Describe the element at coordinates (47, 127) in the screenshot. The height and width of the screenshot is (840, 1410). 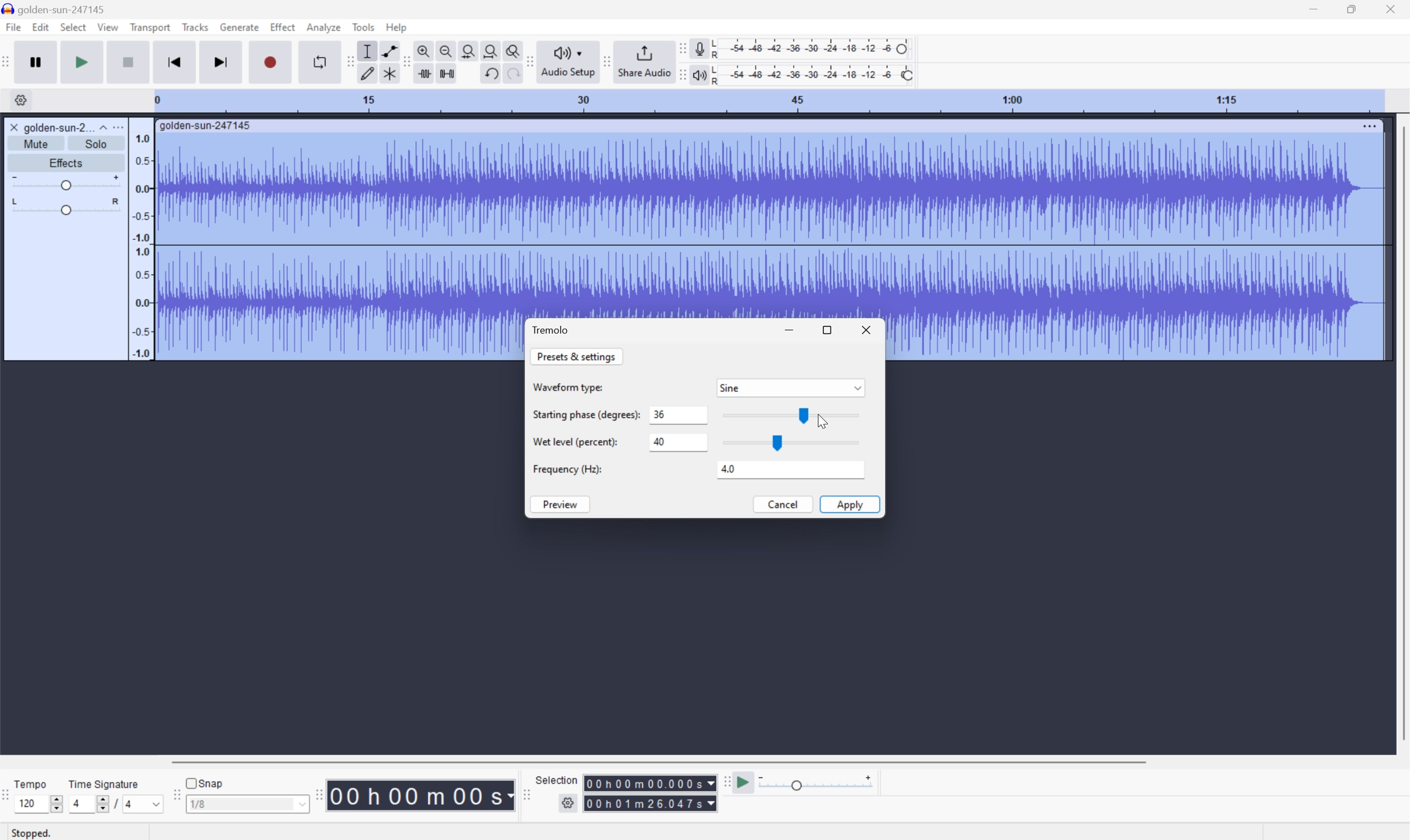
I see `golden-sun` at that location.